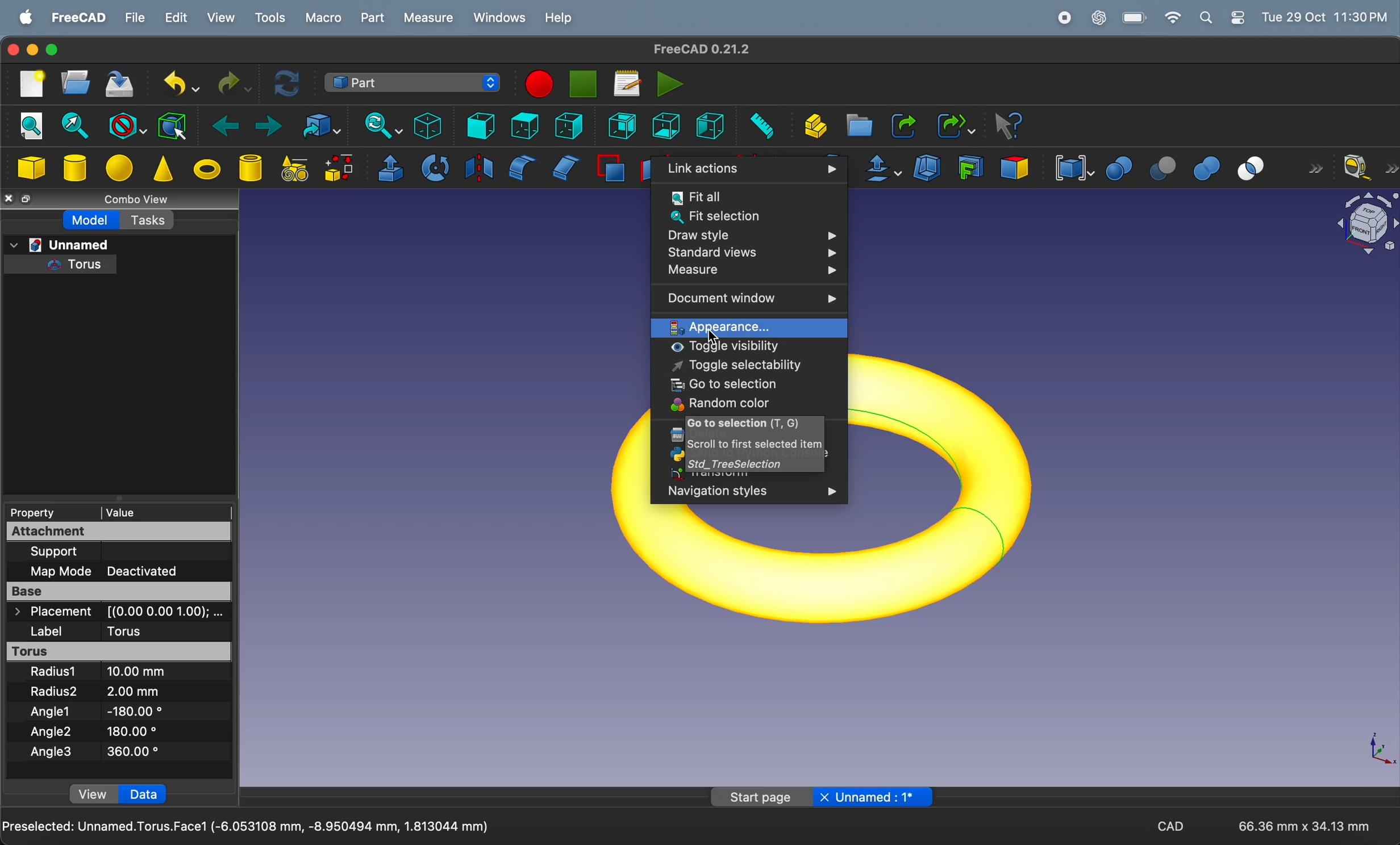  I want to click on torus tree, so click(61, 266).